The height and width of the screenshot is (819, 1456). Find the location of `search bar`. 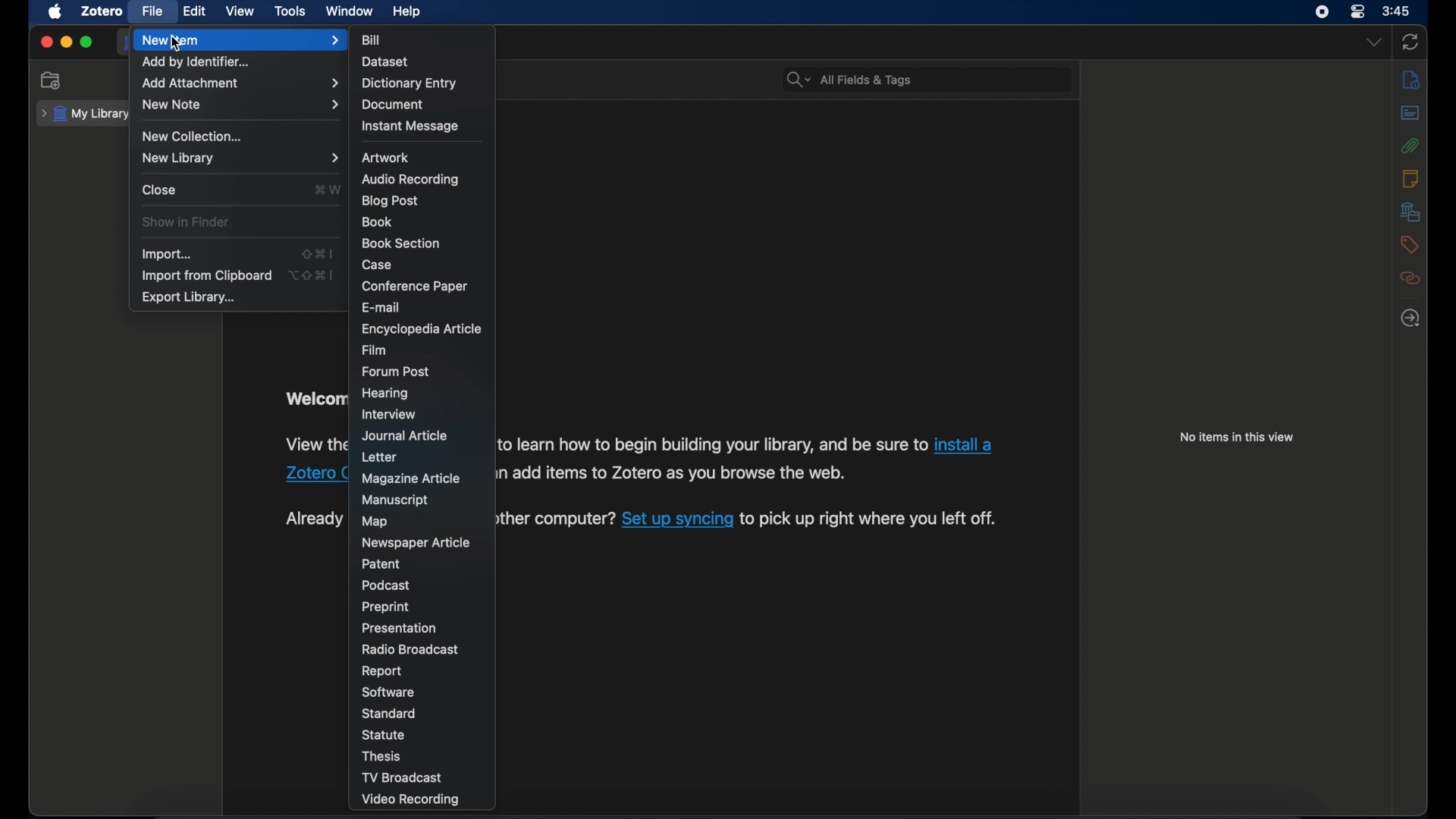

search bar is located at coordinates (848, 79).